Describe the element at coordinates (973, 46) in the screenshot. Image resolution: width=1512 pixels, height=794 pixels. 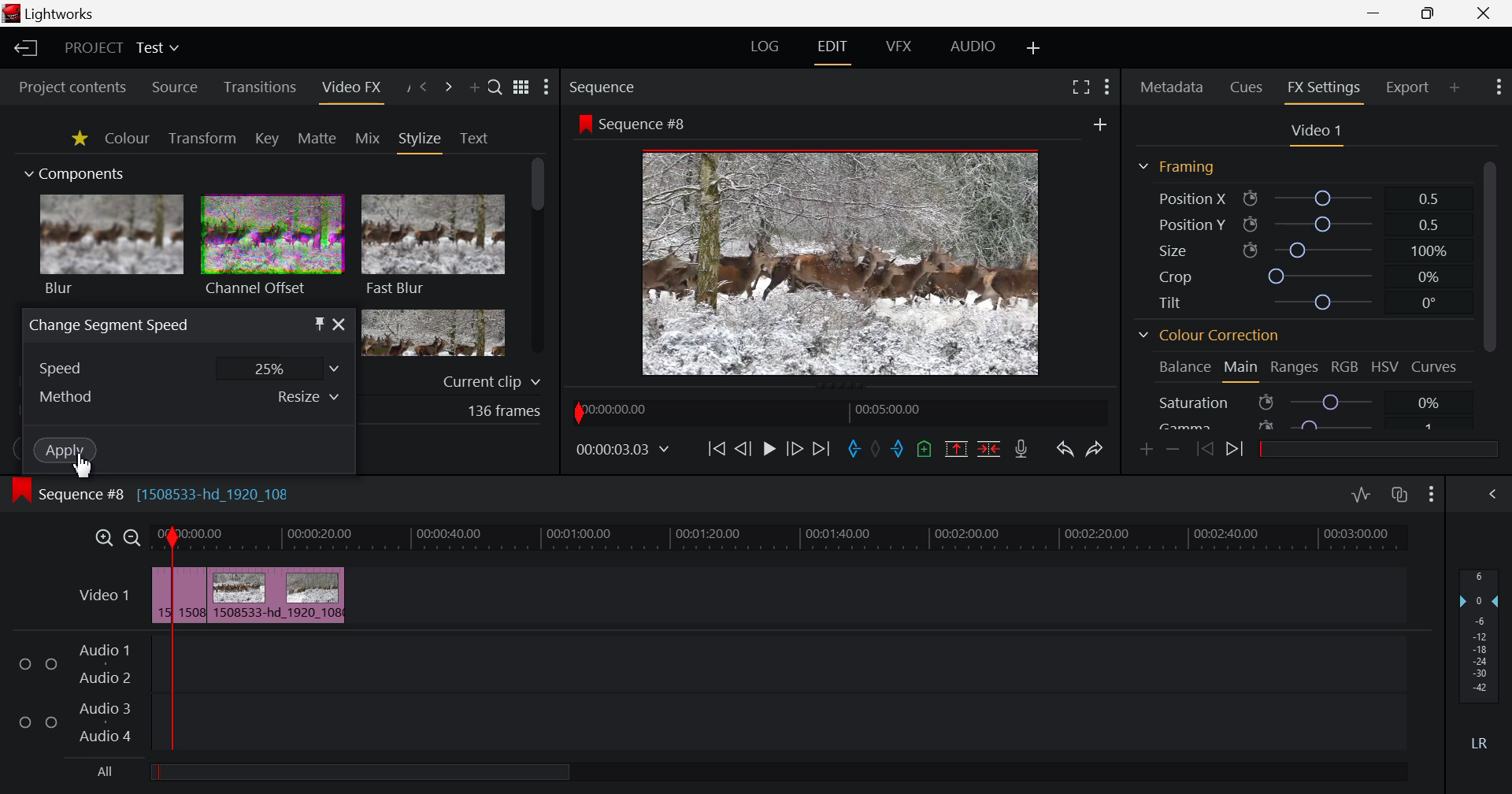
I see `AUDIO Layout` at that location.